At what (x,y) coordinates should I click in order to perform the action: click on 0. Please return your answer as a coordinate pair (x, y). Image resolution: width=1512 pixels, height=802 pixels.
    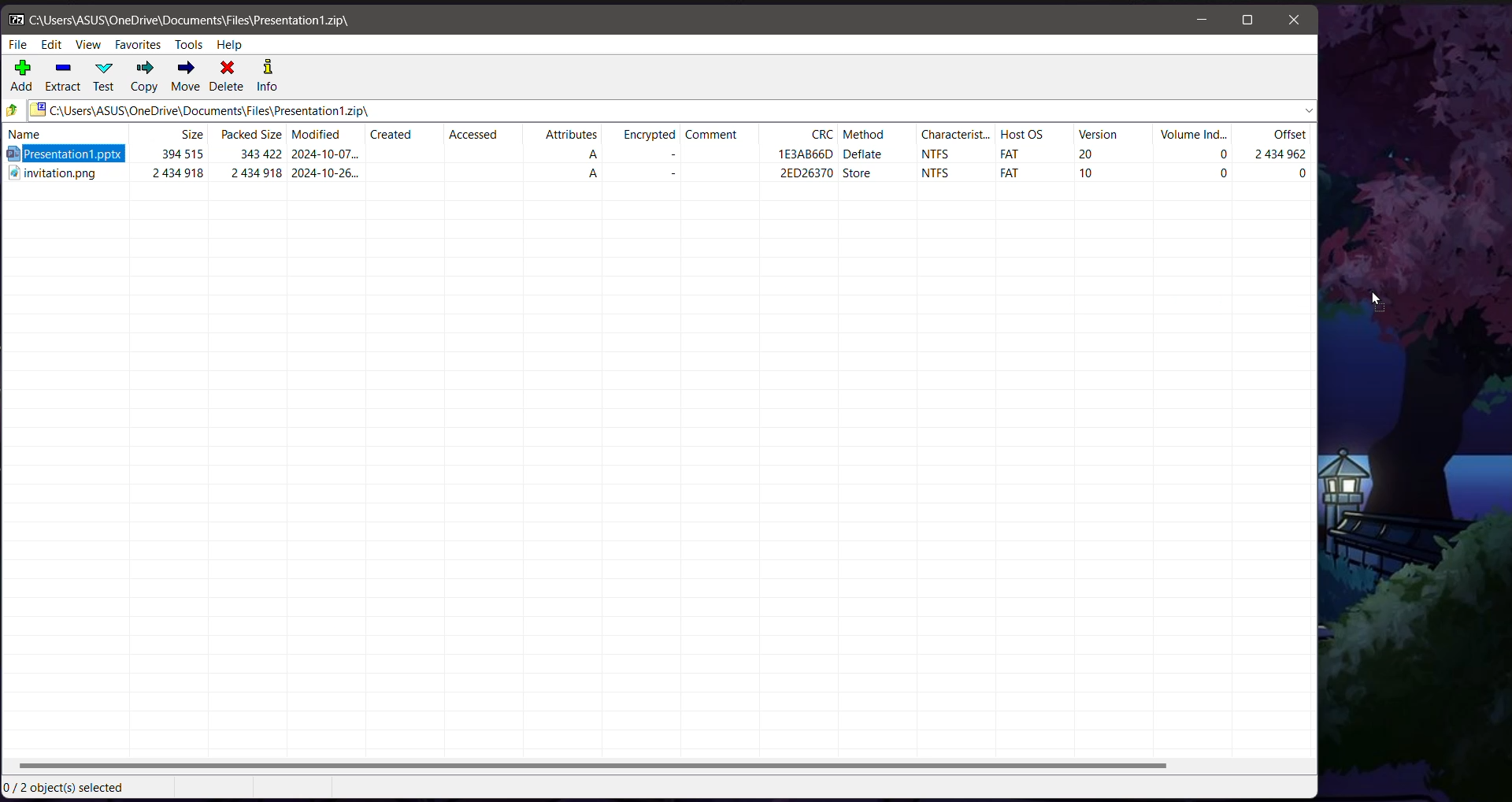
    Looking at the image, I should click on (1220, 173).